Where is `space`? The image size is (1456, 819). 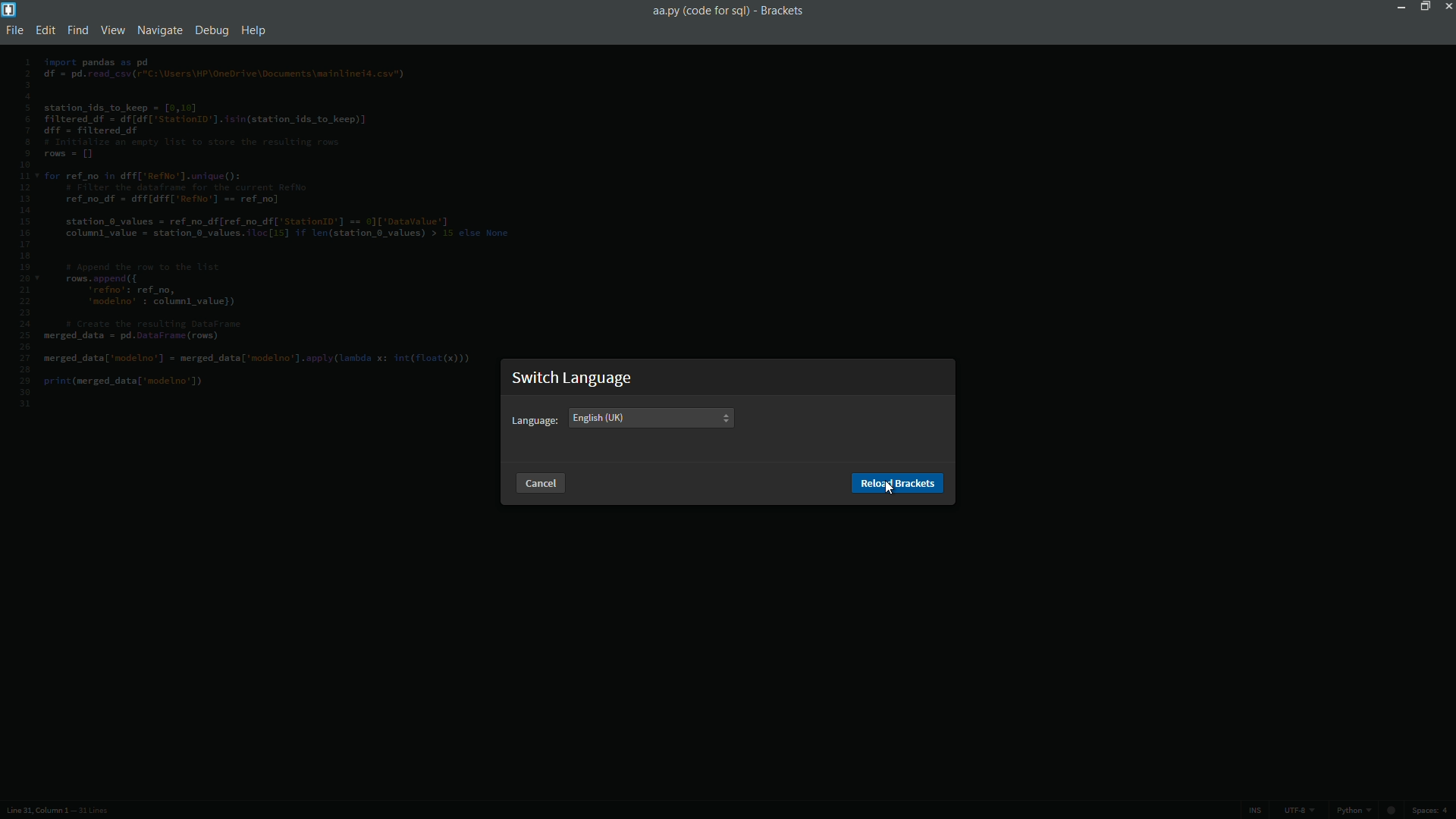
space is located at coordinates (1434, 811).